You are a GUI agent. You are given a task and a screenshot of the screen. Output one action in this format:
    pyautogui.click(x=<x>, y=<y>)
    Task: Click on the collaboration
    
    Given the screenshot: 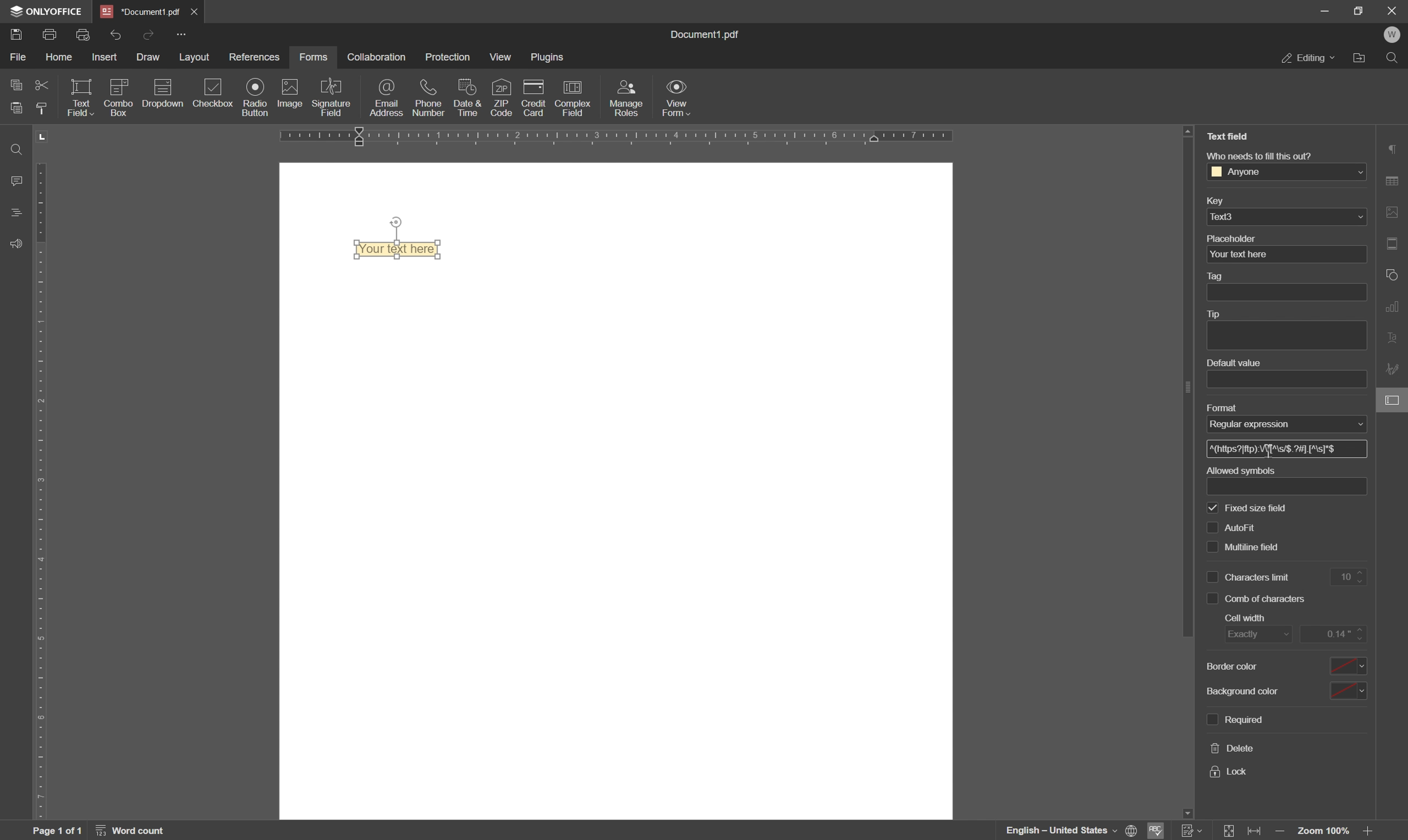 What is the action you would take?
    pyautogui.click(x=375, y=57)
    